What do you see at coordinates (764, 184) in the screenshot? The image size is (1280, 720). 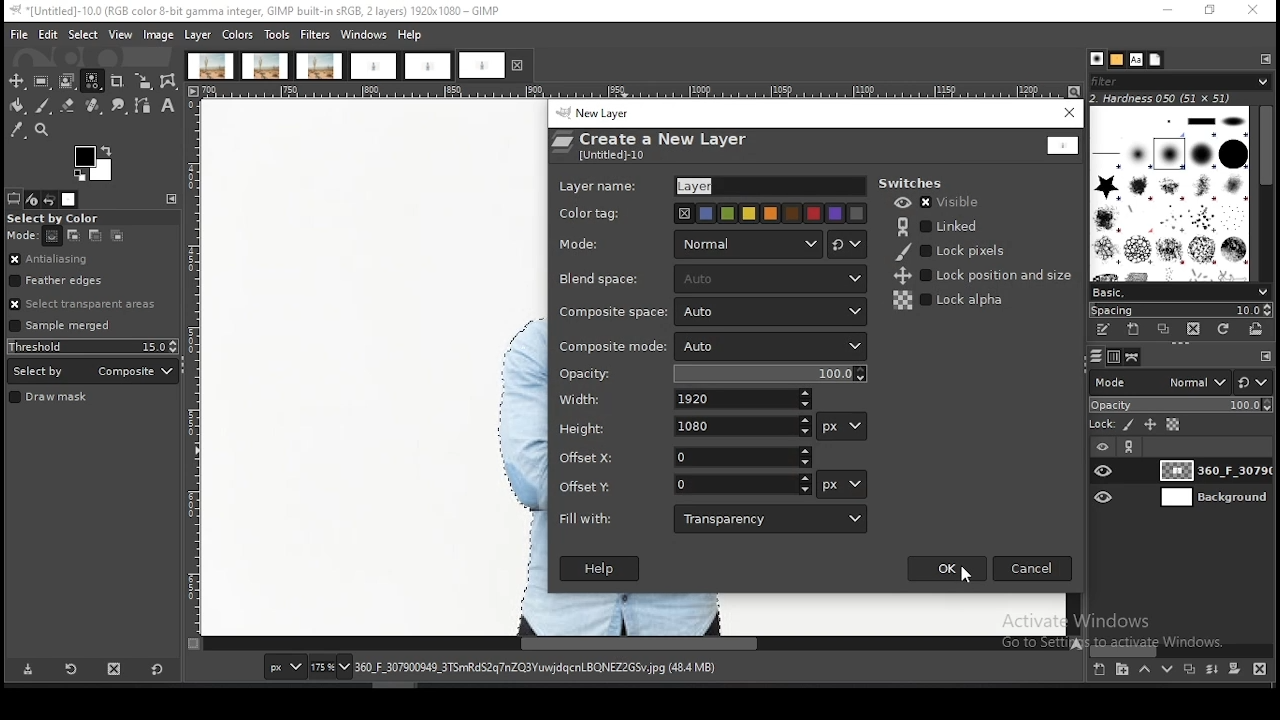 I see `layer name` at bounding box center [764, 184].